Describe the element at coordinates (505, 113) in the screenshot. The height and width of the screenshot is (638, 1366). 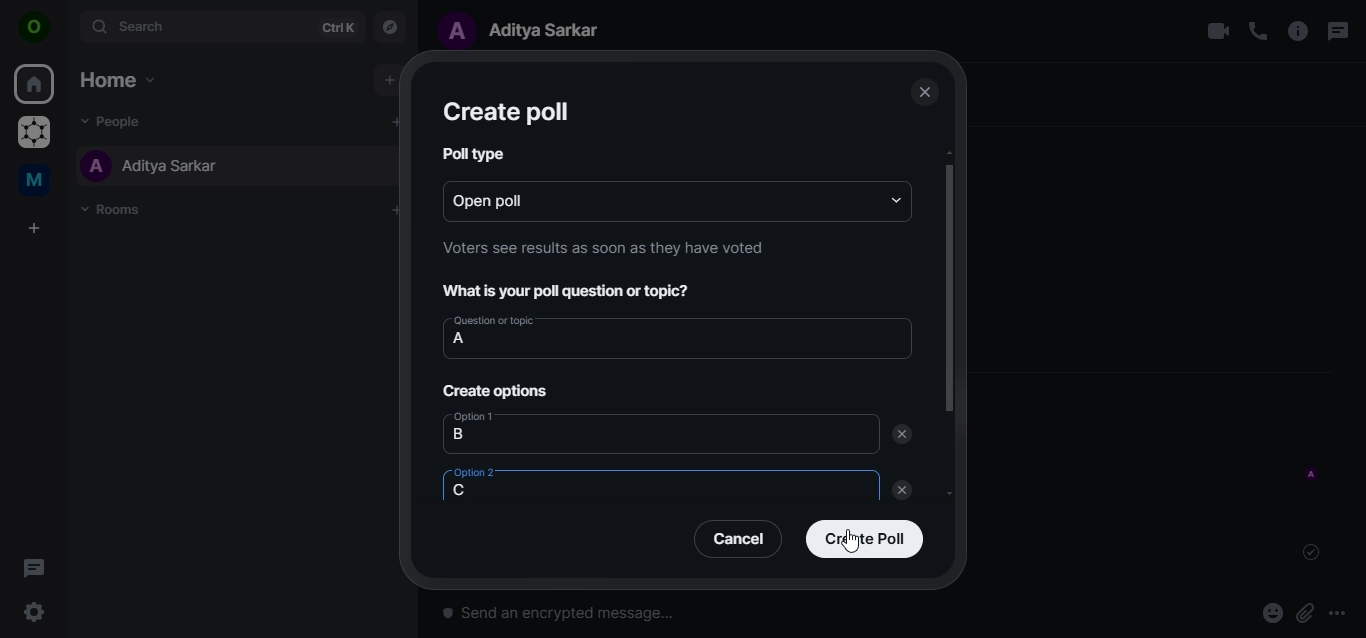
I see `create poll` at that location.